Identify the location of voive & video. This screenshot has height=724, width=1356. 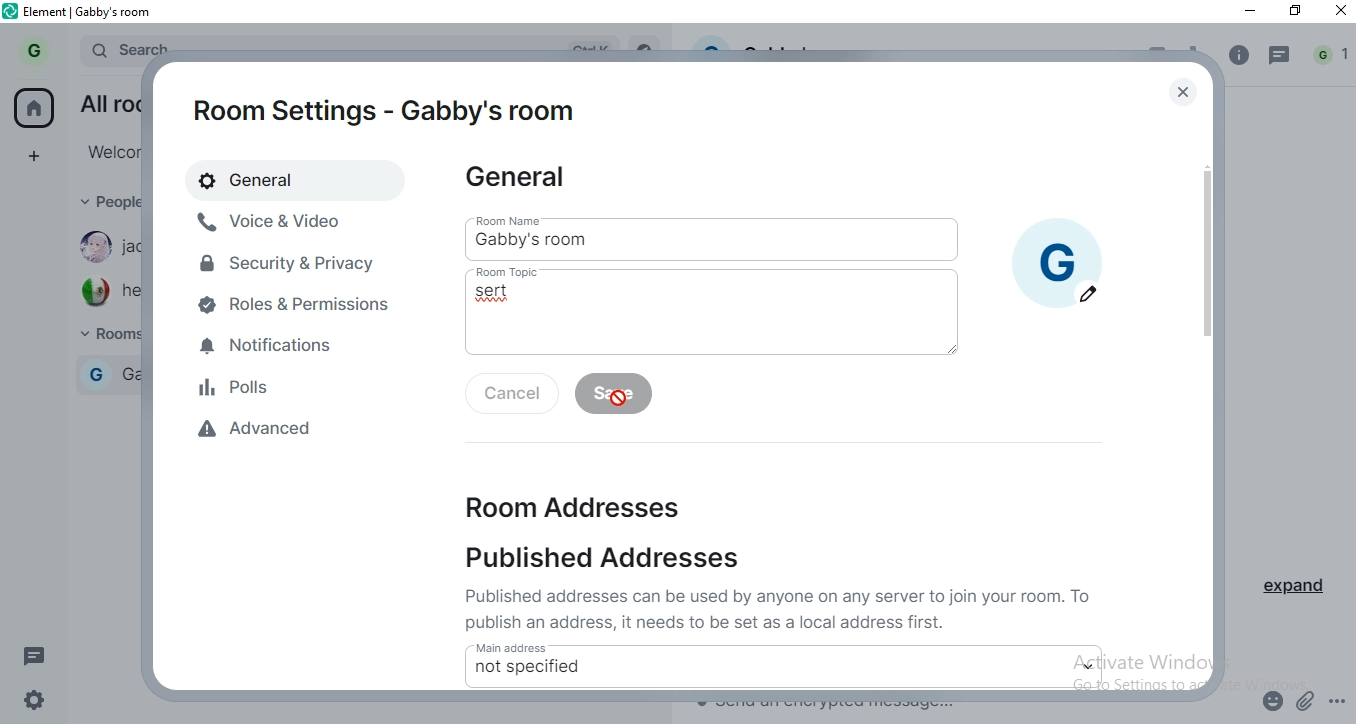
(277, 221).